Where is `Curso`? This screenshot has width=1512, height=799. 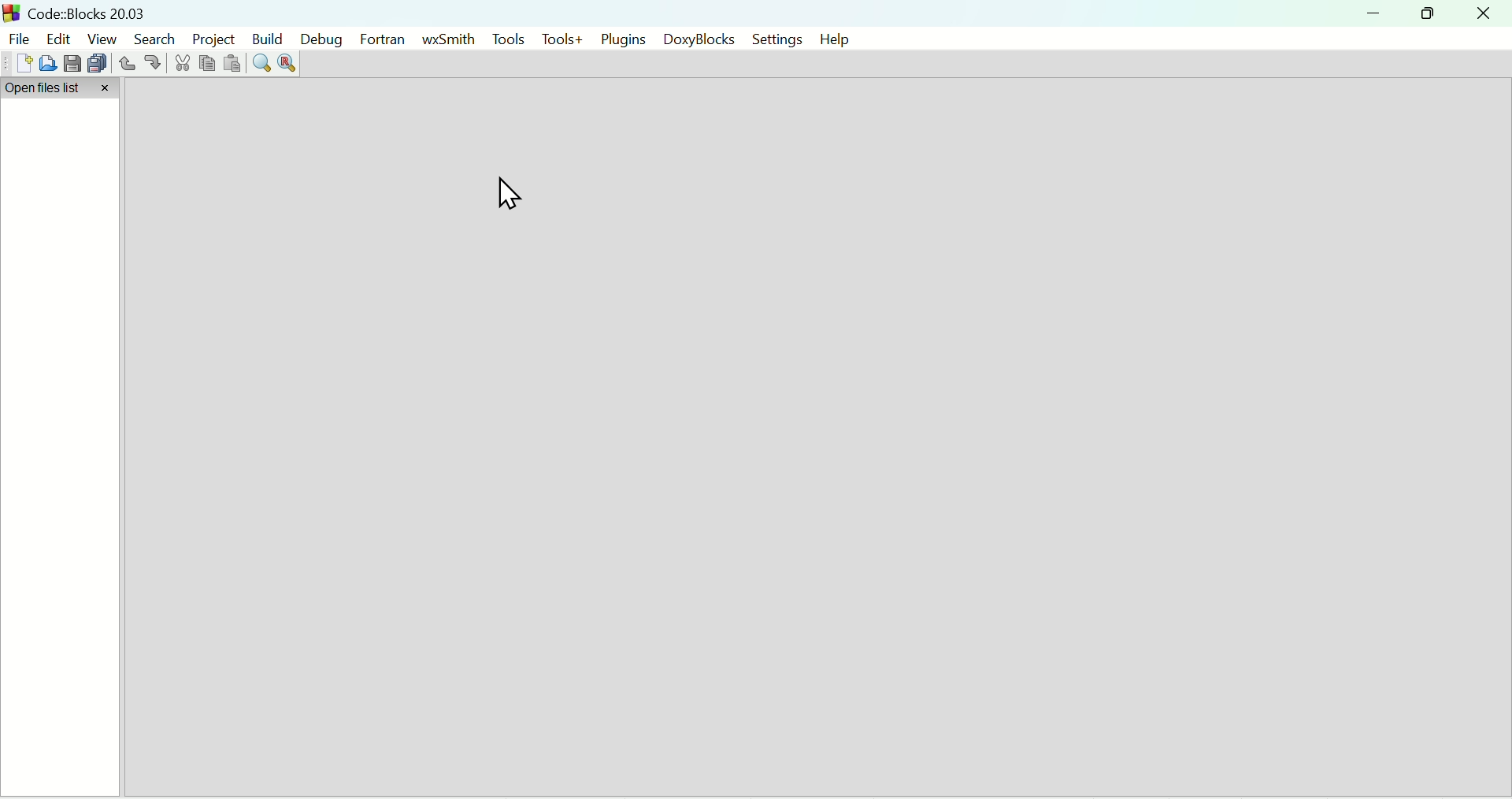 Curso is located at coordinates (512, 195).